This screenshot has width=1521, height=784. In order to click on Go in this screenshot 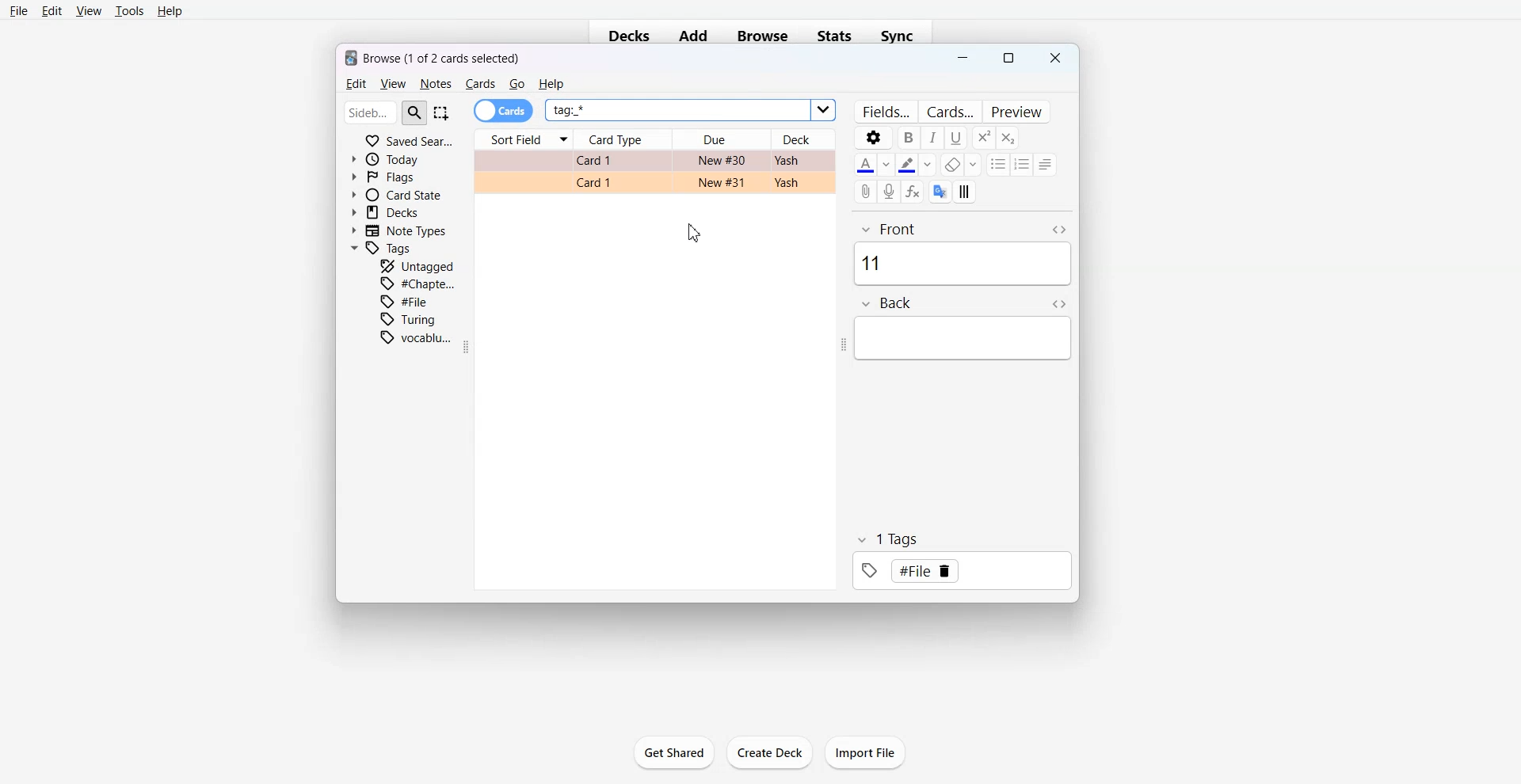, I will do `click(517, 84)`.